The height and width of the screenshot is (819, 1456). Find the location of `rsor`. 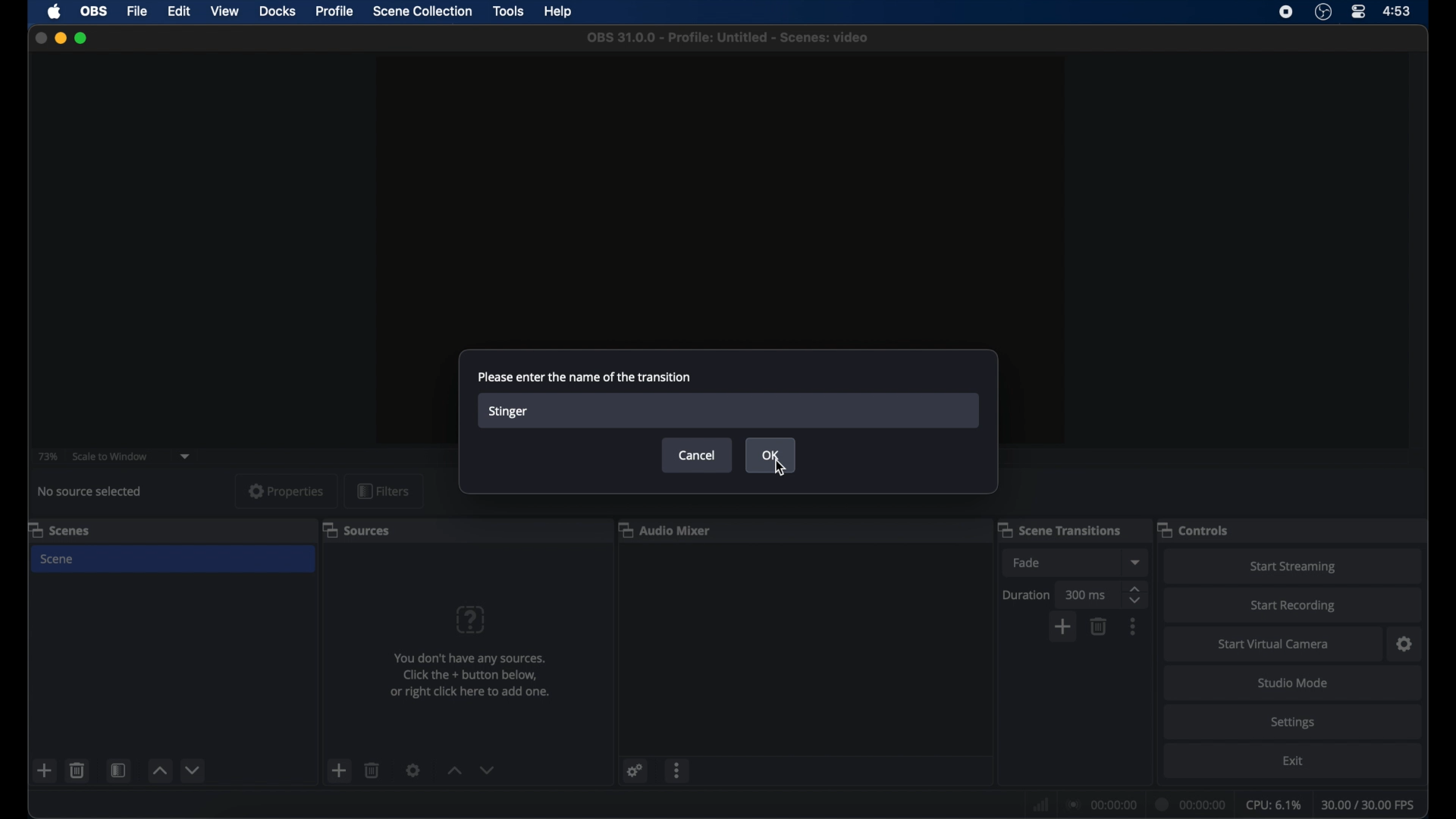

rsor is located at coordinates (780, 469).